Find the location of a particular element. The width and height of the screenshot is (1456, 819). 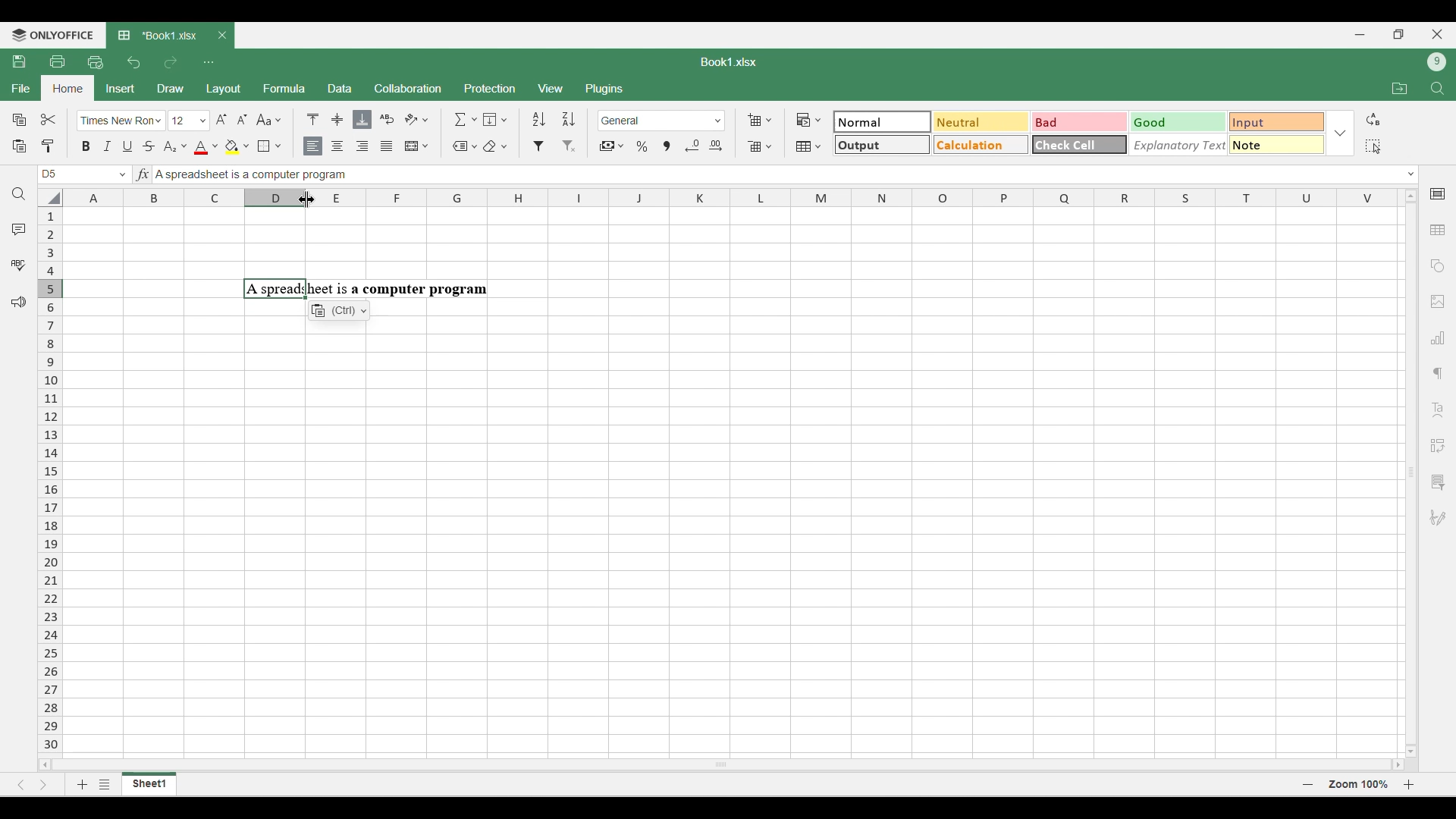

Search is located at coordinates (20, 194).